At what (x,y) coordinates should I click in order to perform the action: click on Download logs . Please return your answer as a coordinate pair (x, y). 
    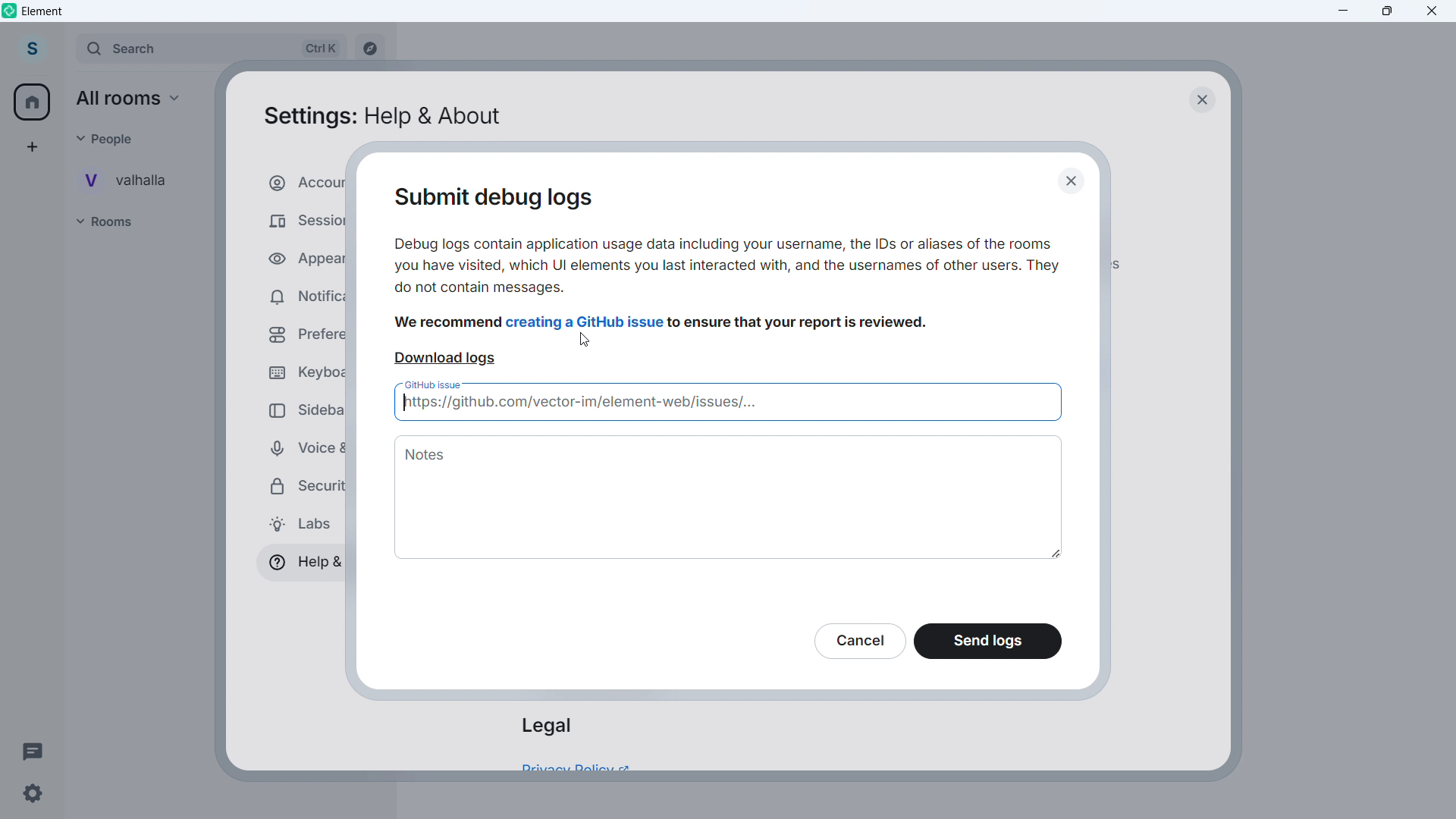
    Looking at the image, I should click on (445, 359).